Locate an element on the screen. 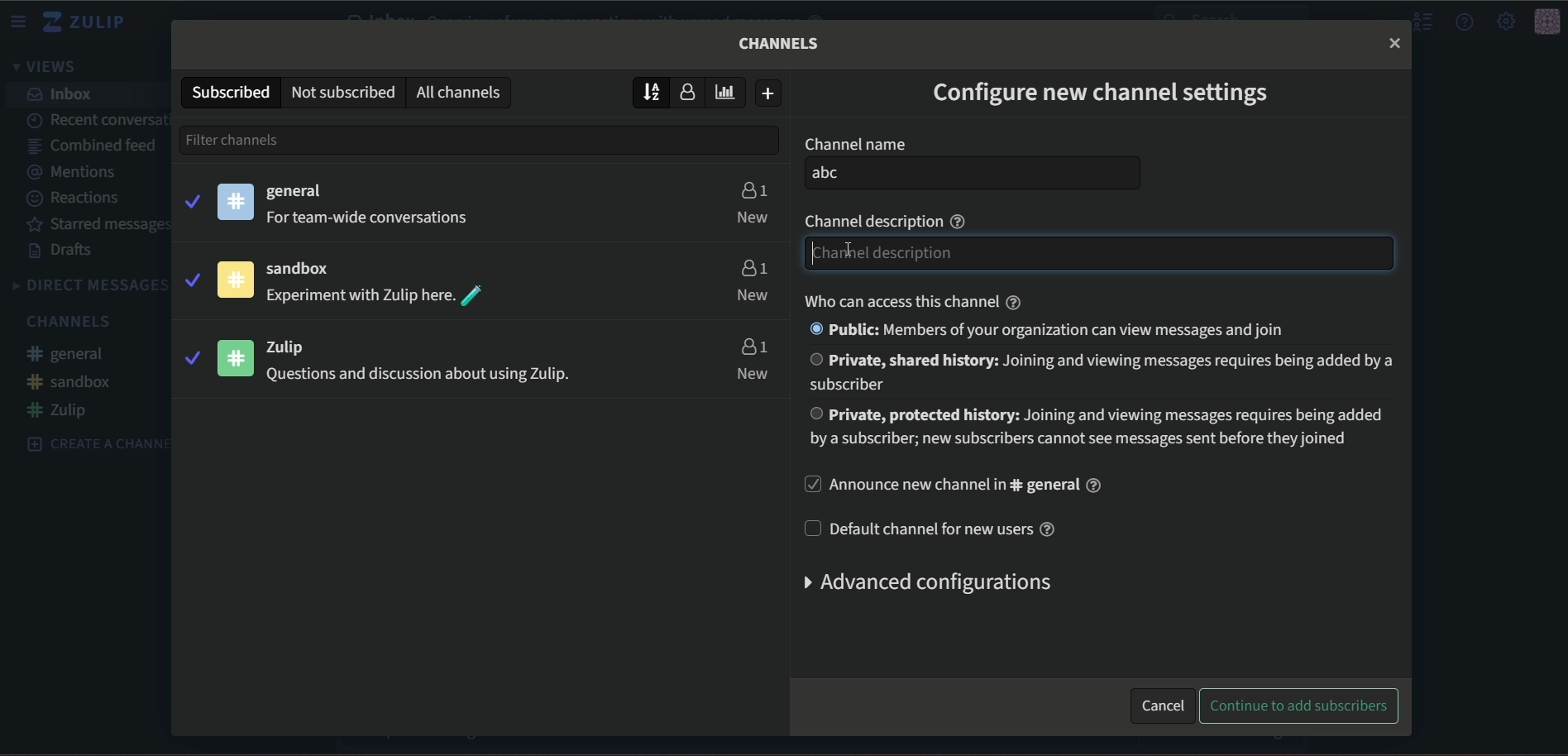  channel description is located at coordinates (1097, 254).